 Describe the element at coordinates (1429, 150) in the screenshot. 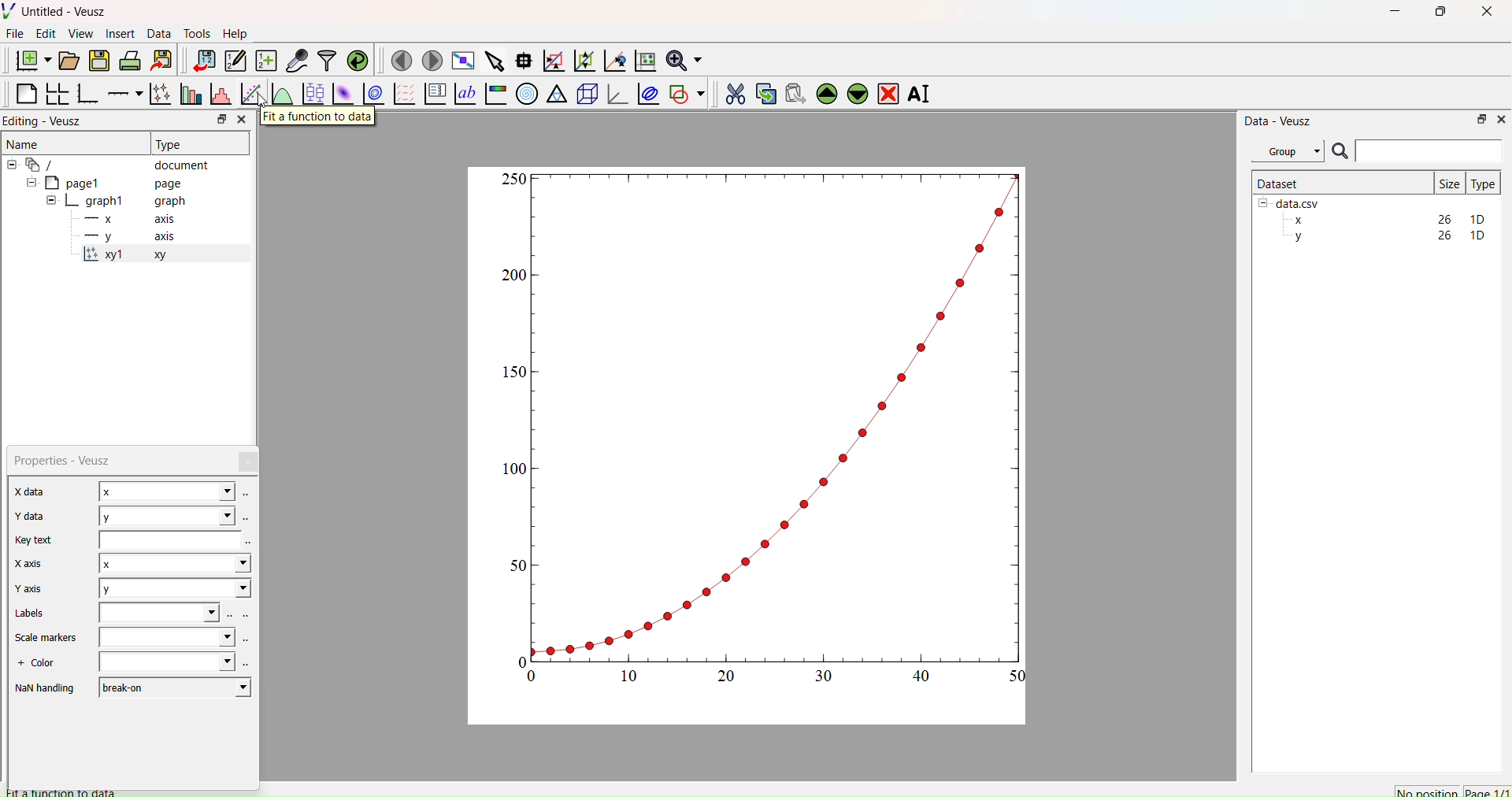

I see `Input` at that location.